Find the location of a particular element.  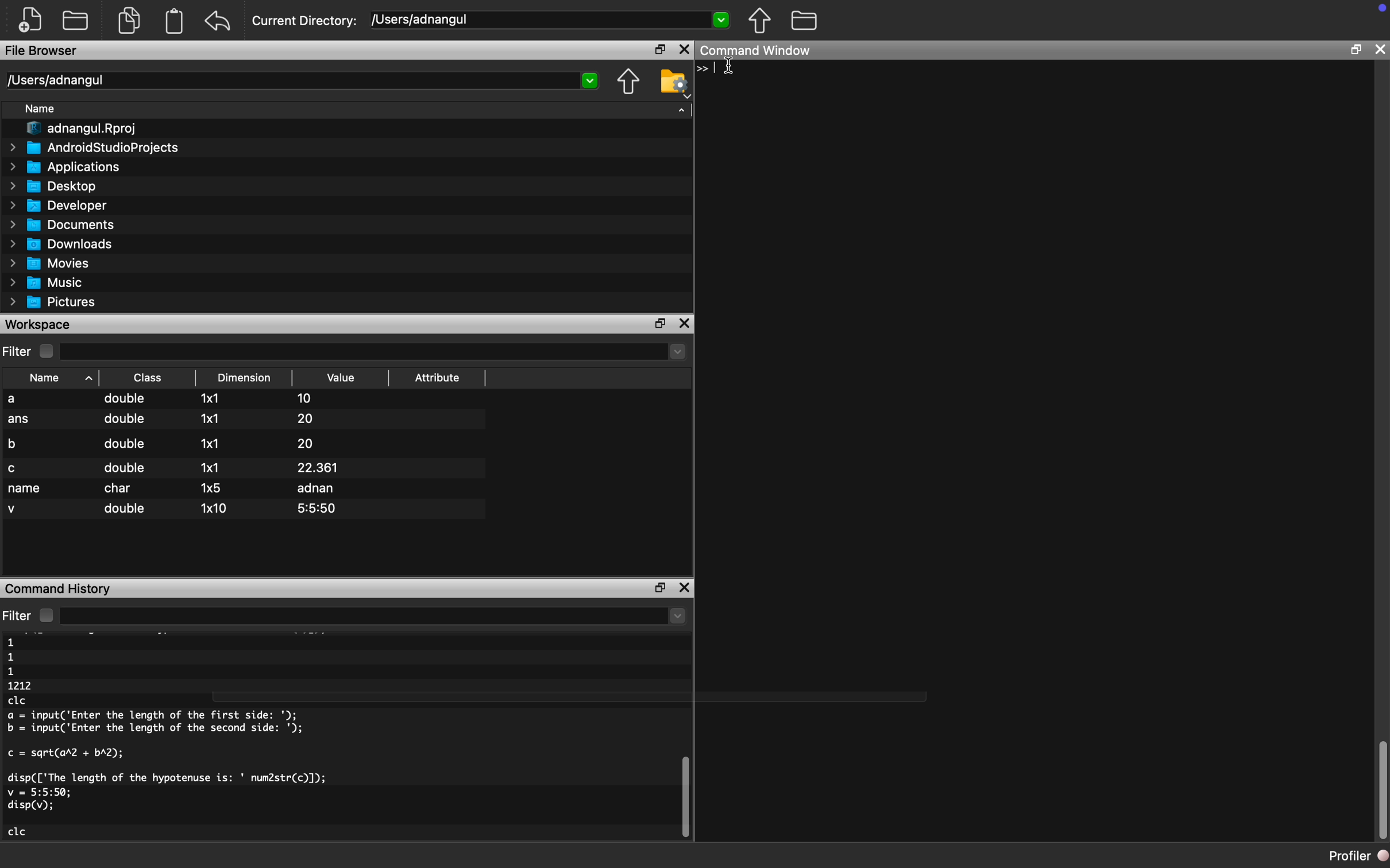

Filter is located at coordinates (31, 351).